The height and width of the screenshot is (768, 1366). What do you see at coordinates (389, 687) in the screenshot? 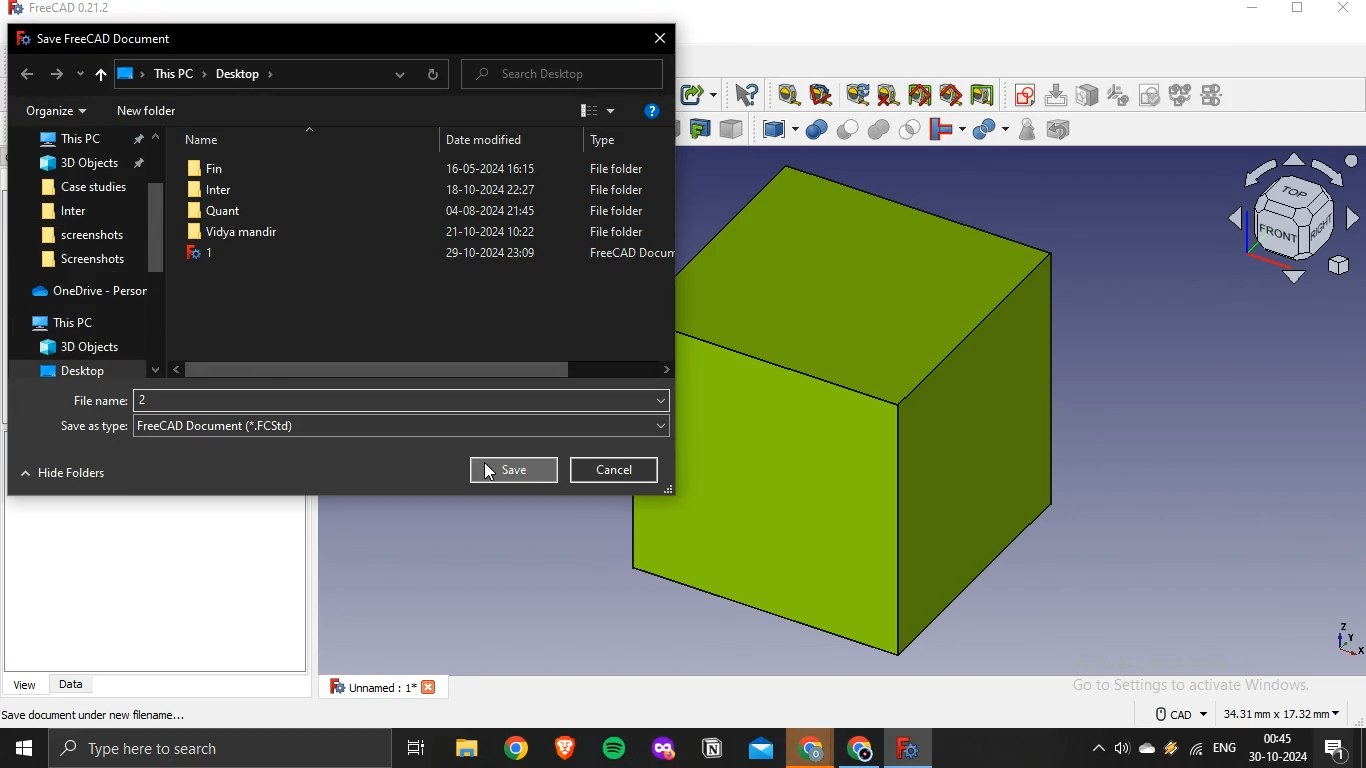
I see `unnamed` at bounding box center [389, 687].